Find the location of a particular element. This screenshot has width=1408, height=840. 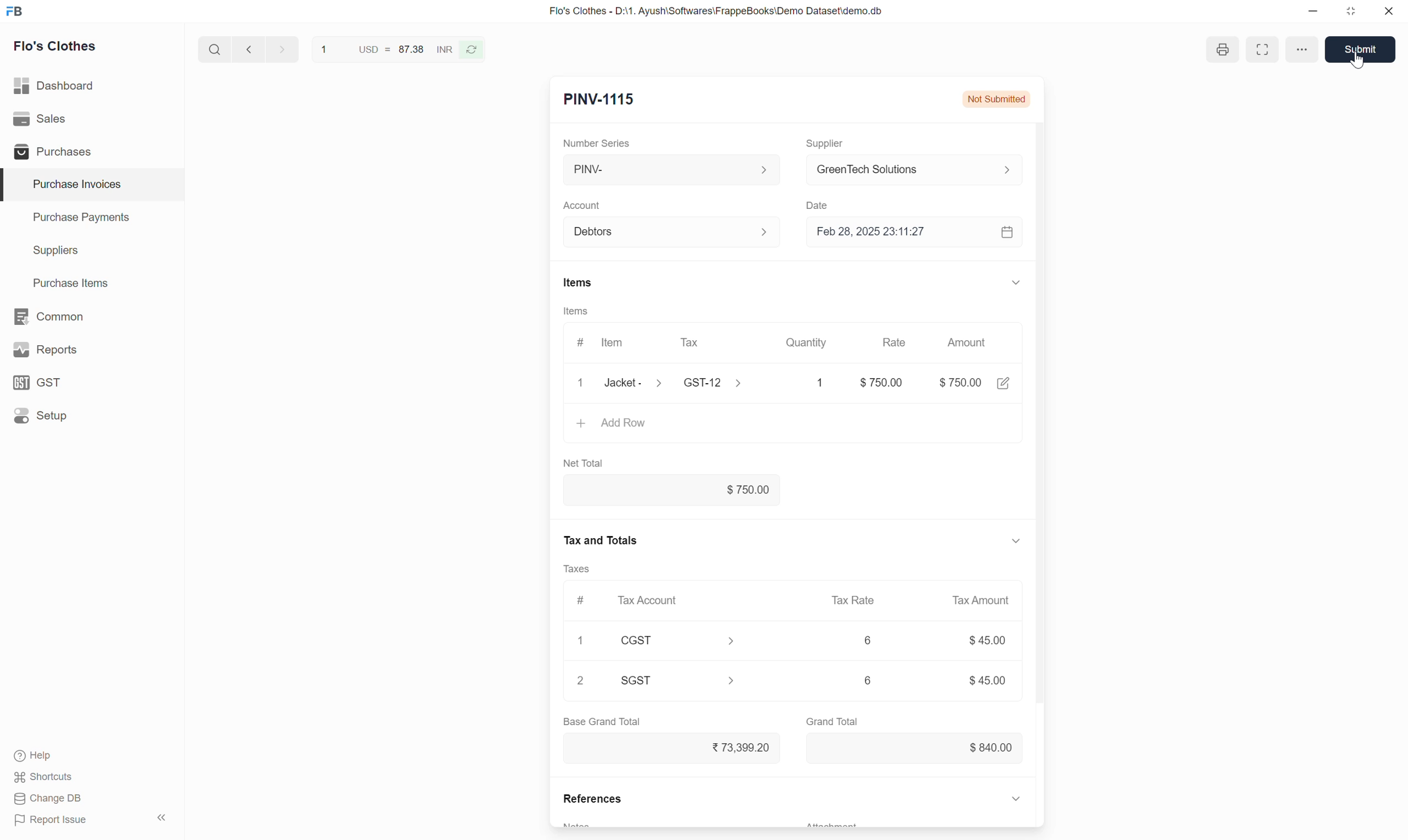

Add Row is located at coordinates (793, 425).